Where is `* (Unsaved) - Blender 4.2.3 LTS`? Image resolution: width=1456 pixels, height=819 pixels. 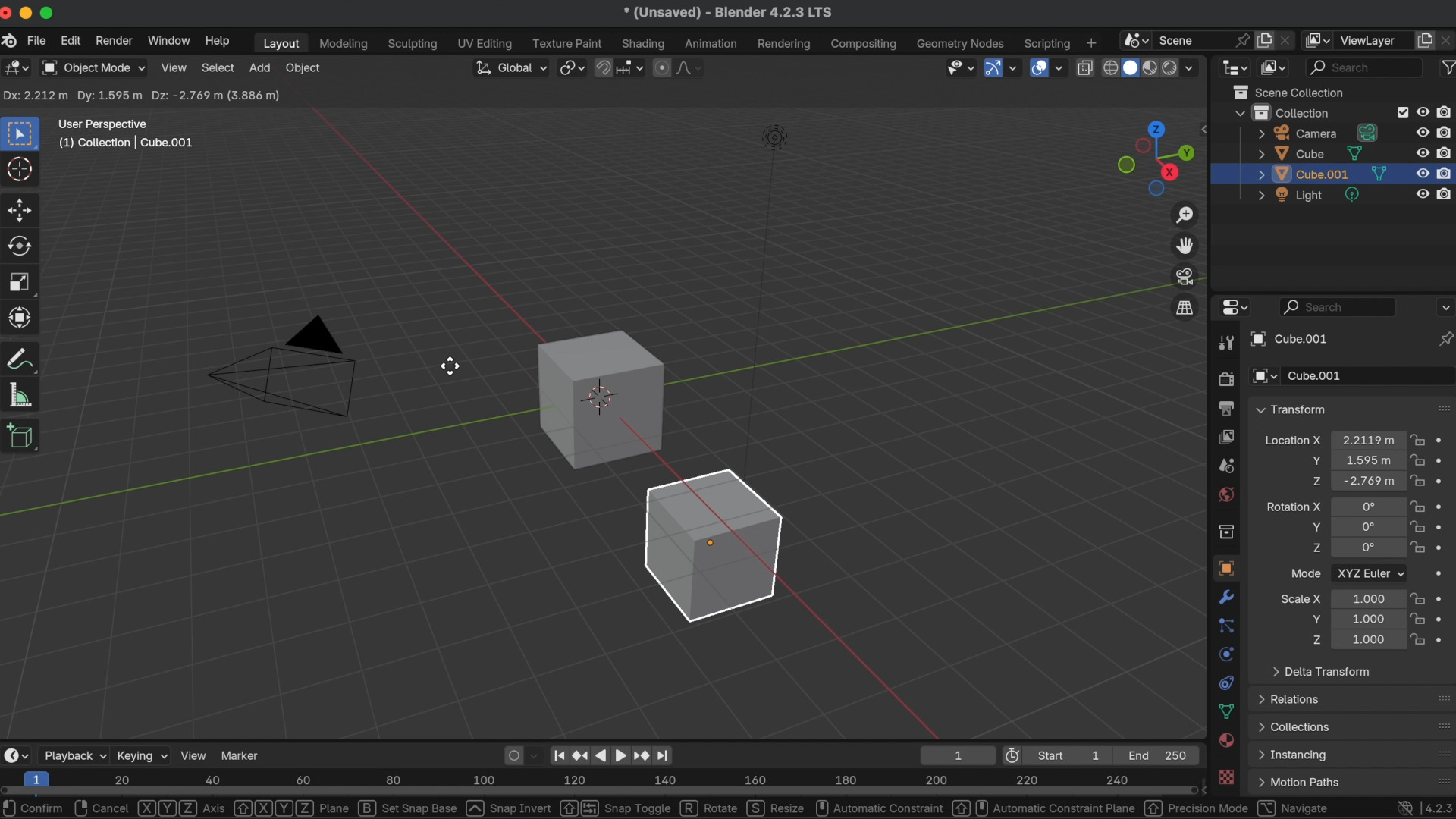
* (Unsaved) - Blender 4.2.3 LTS is located at coordinates (727, 14).